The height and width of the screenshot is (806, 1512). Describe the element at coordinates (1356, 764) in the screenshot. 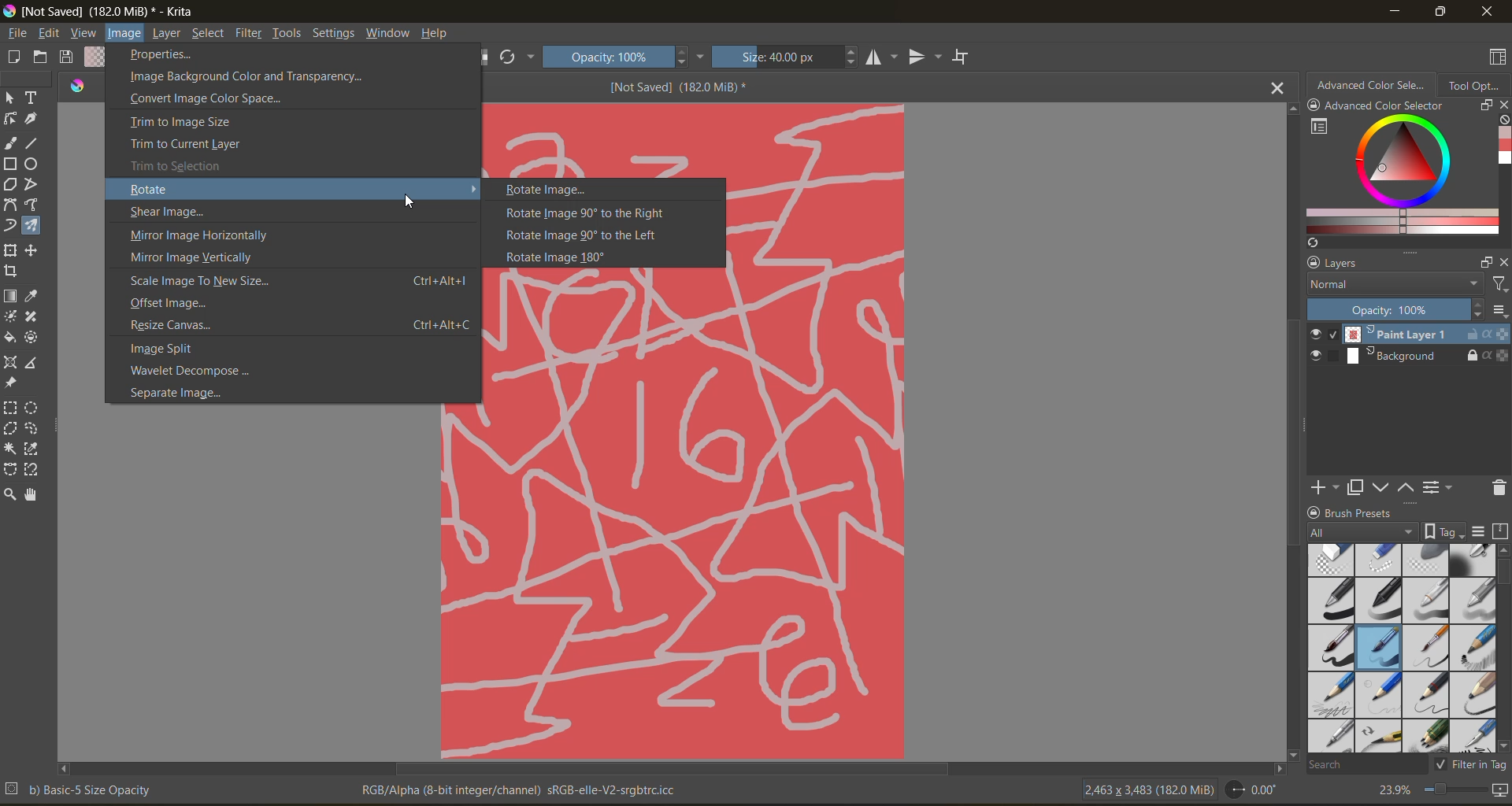

I see `search` at that location.